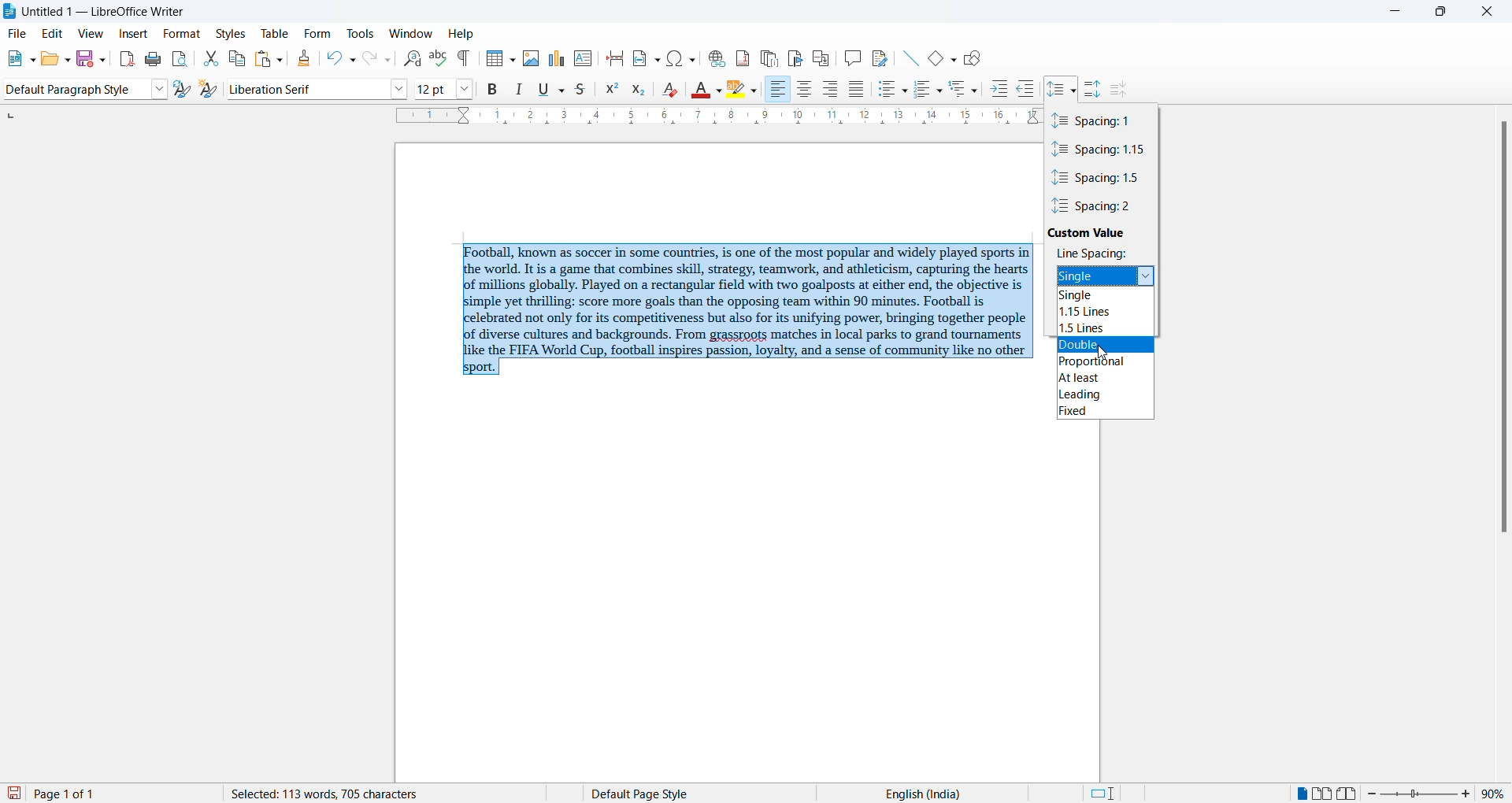  Describe the element at coordinates (1000, 88) in the screenshot. I see `increase indent` at that location.